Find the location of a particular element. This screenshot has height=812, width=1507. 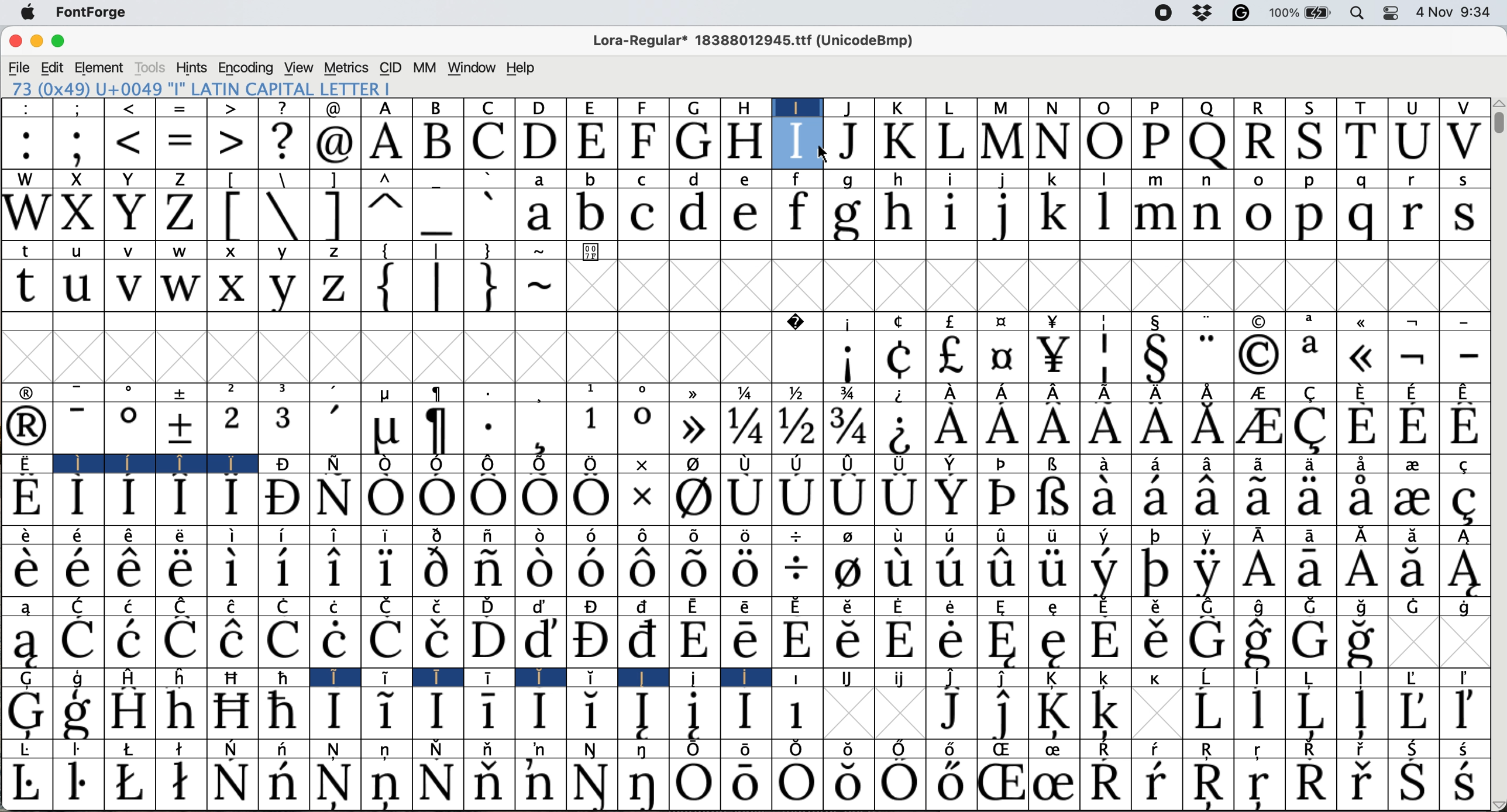

Symbol is located at coordinates (1158, 605).